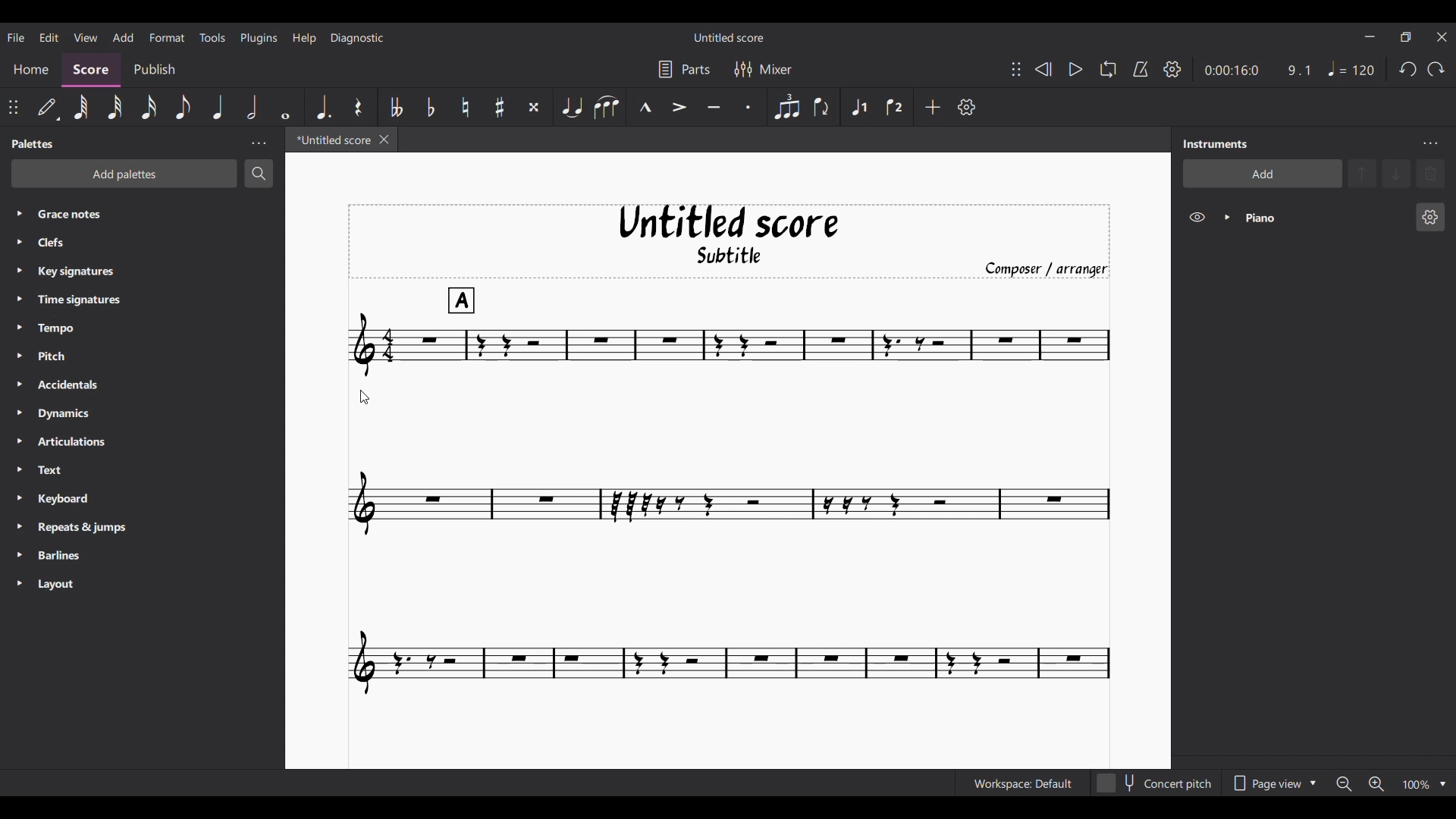  Describe the element at coordinates (184, 107) in the screenshot. I see `8th note` at that location.